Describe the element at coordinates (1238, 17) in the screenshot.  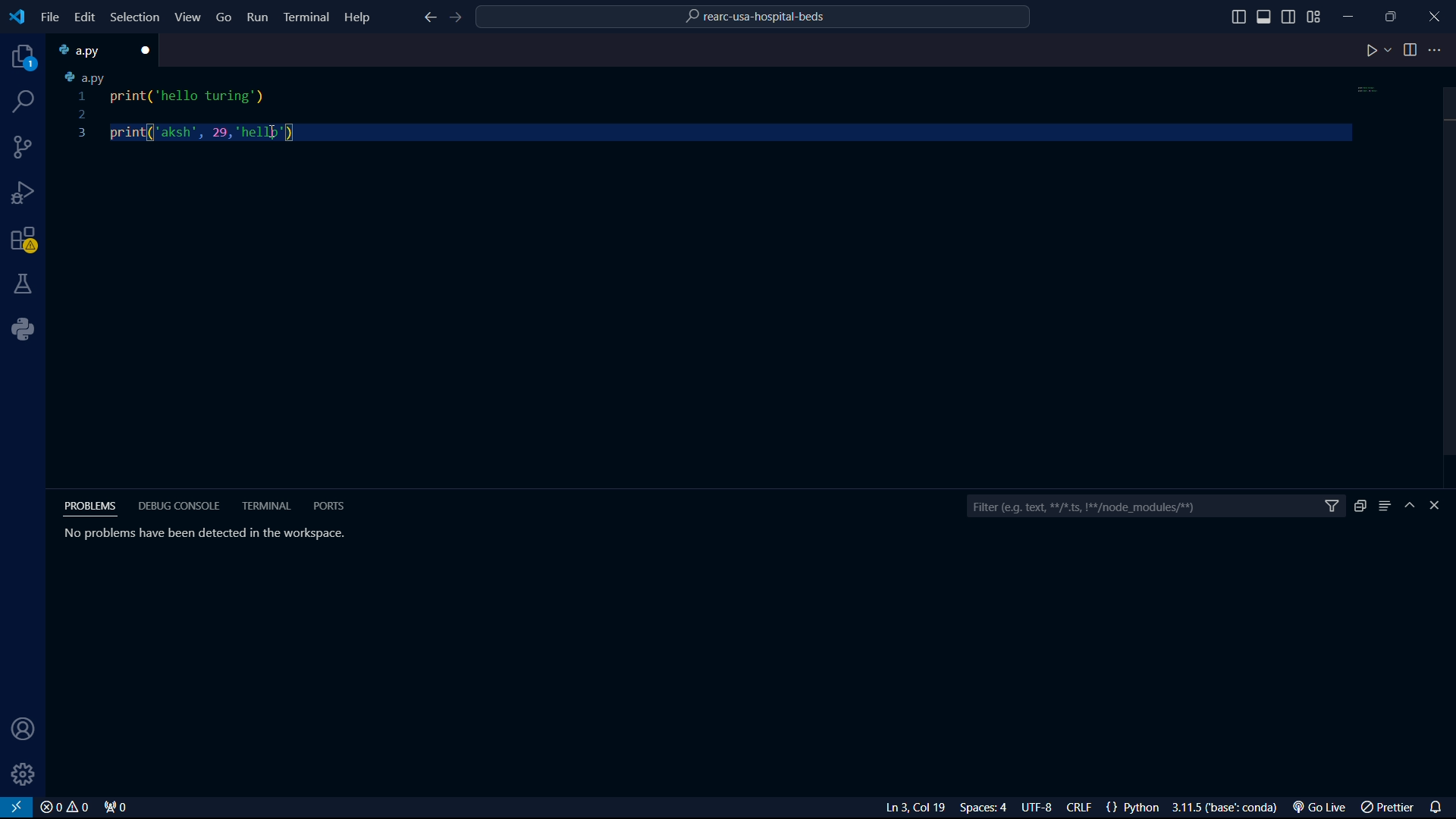
I see `toggle sidebar` at that location.